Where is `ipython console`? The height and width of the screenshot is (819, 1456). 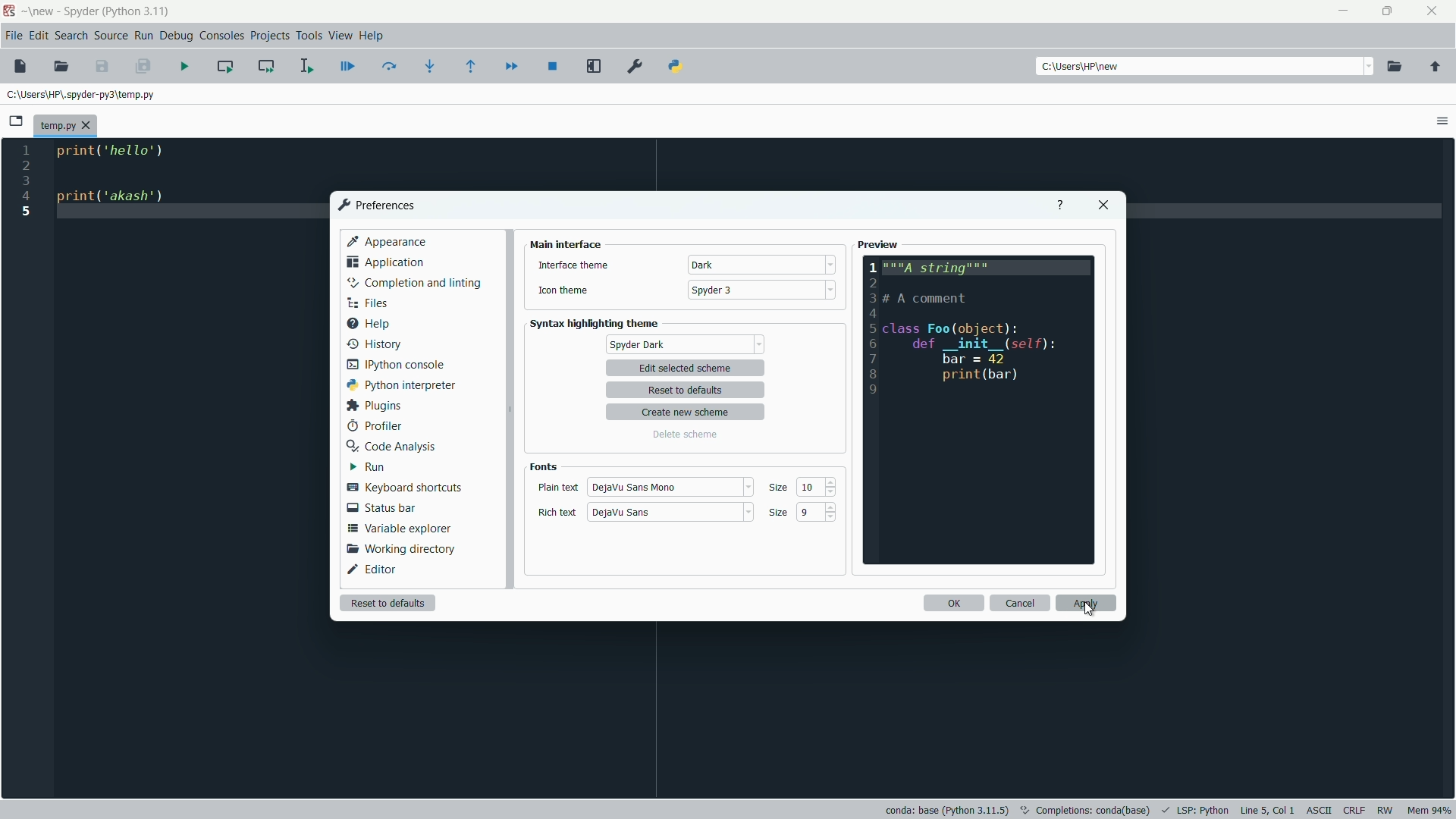
ipython console is located at coordinates (396, 363).